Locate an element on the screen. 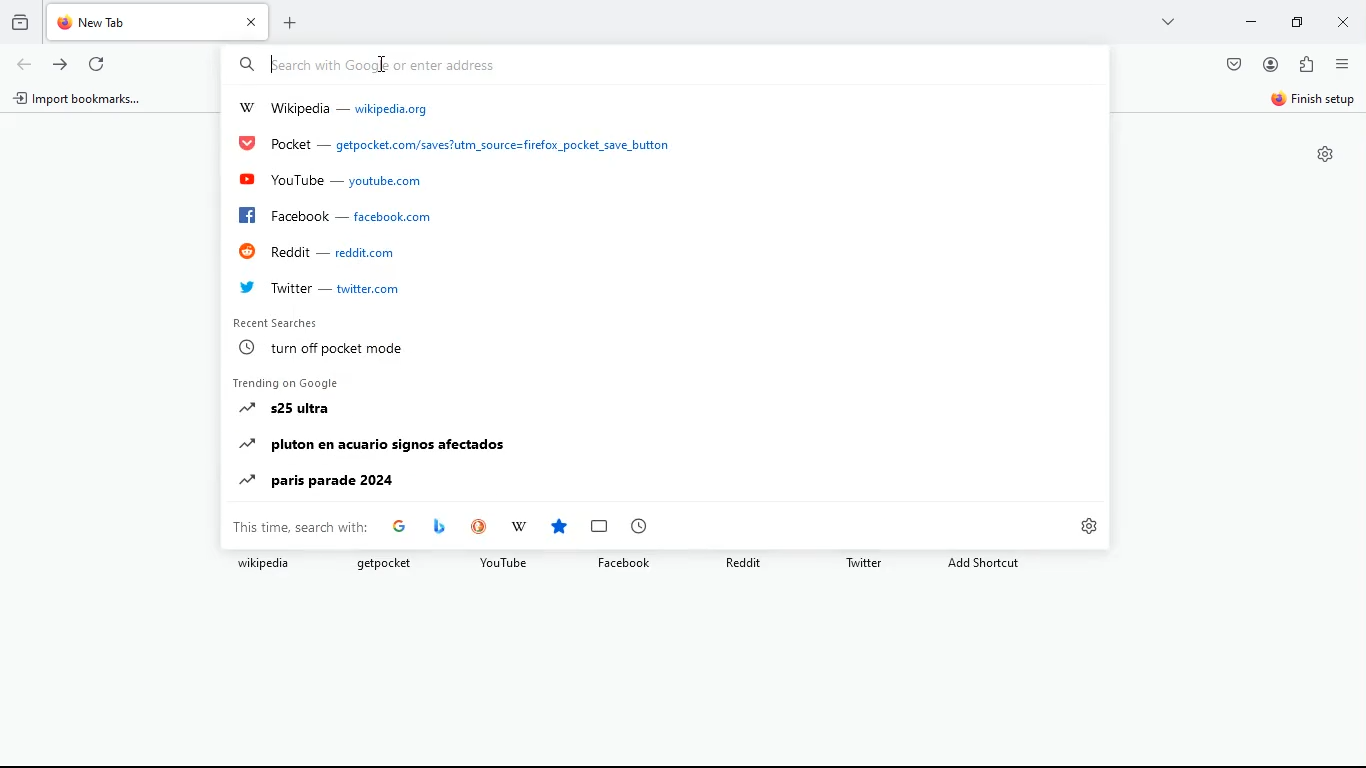 Image resolution: width=1366 pixels, height=768 pixels. Twitter is located at coordinates (866, 562).